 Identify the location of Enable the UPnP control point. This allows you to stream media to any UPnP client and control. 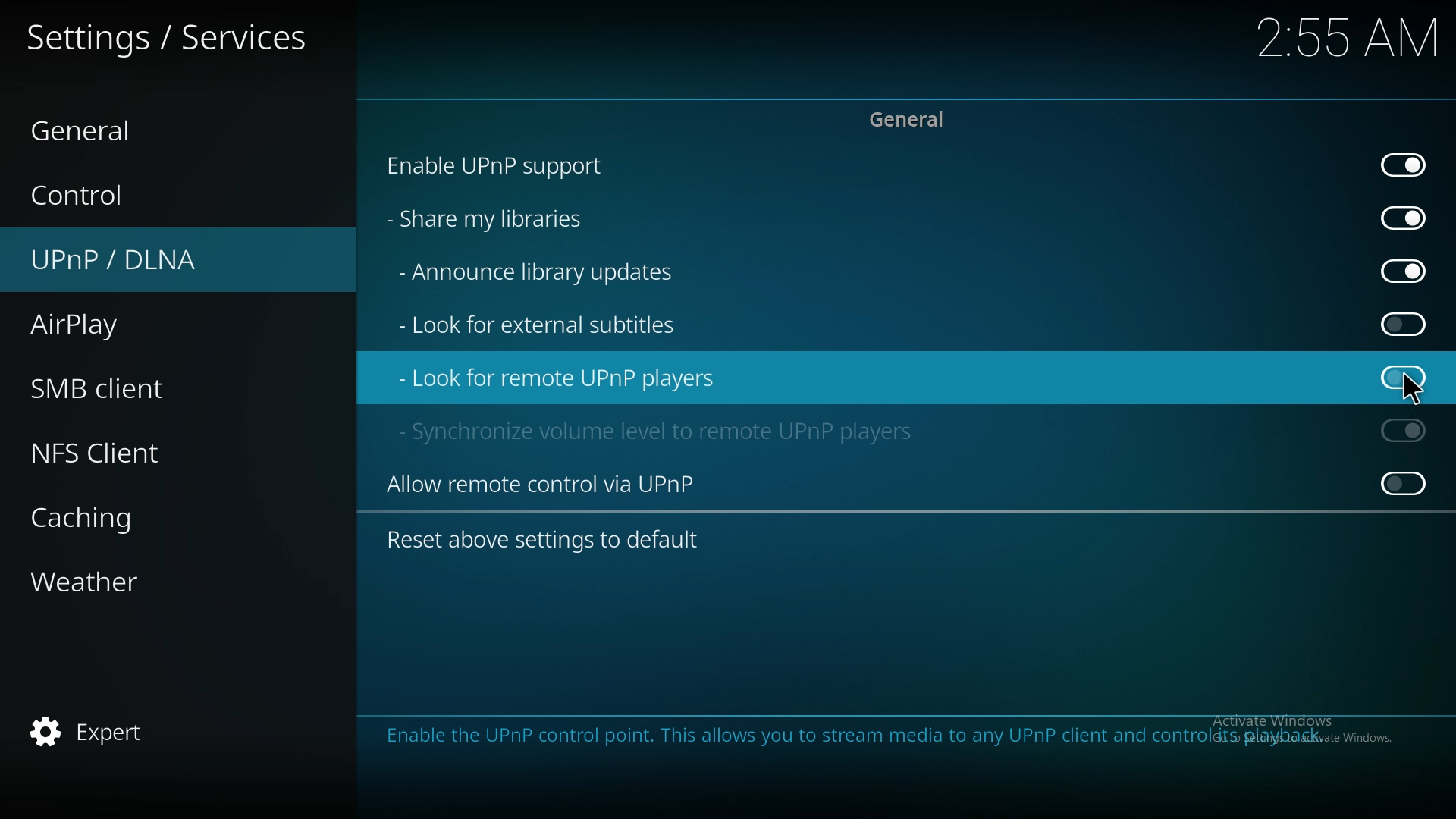
(775, 744).